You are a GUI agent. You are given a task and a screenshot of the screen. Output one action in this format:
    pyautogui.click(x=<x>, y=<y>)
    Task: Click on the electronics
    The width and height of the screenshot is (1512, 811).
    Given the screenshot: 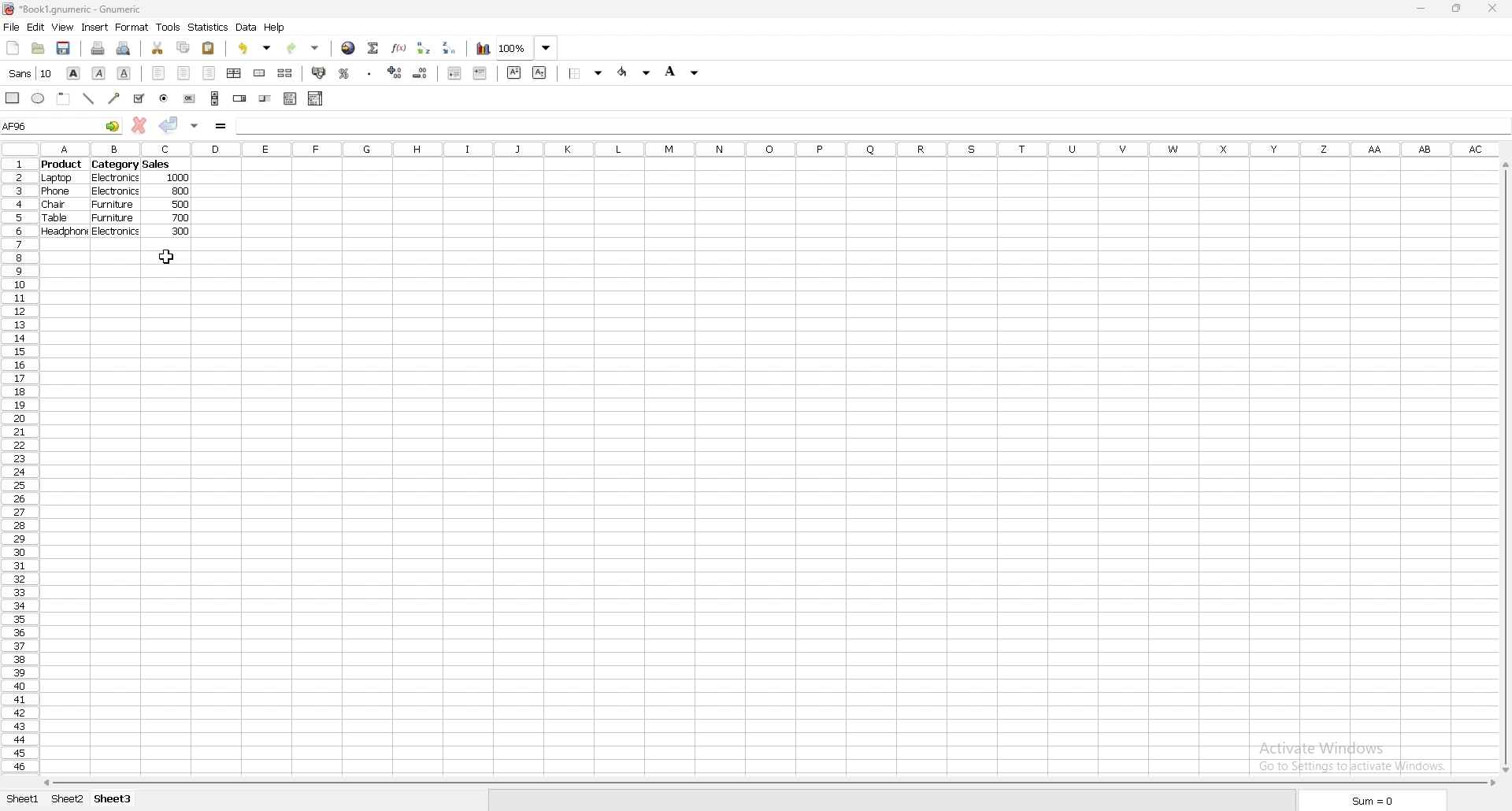 What is the action you would take?
    pyautogui.click(x=117, y=233)
    